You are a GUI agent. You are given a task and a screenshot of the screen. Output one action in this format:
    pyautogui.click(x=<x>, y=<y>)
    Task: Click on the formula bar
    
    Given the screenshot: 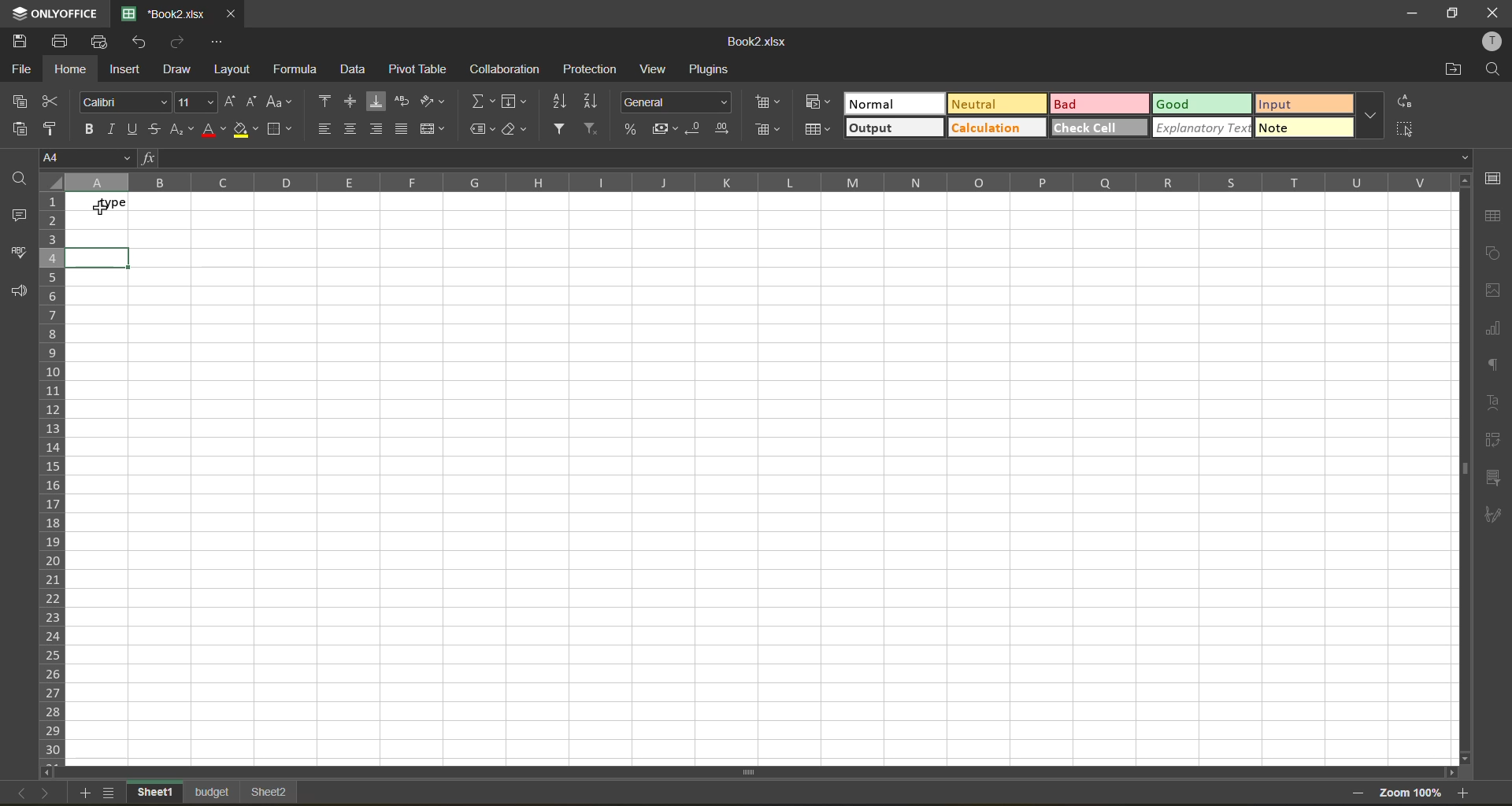 What is the action you would take?
    pyautogui.click(x=817, y=159)
    